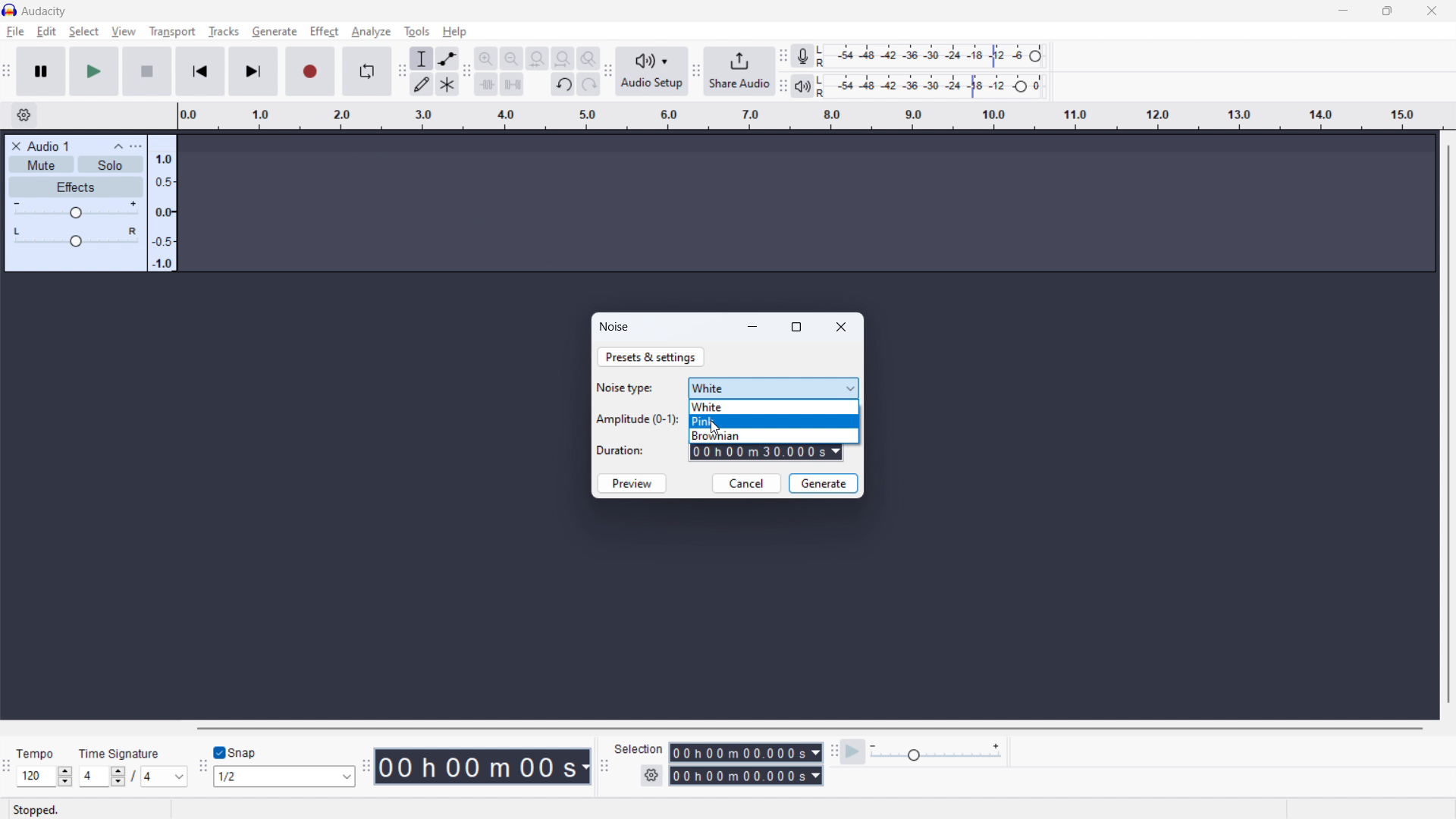 The image size is (1456, 819). Describe the element at coordinates (808, 117) in the screenshot. I see `timeline` at that location.